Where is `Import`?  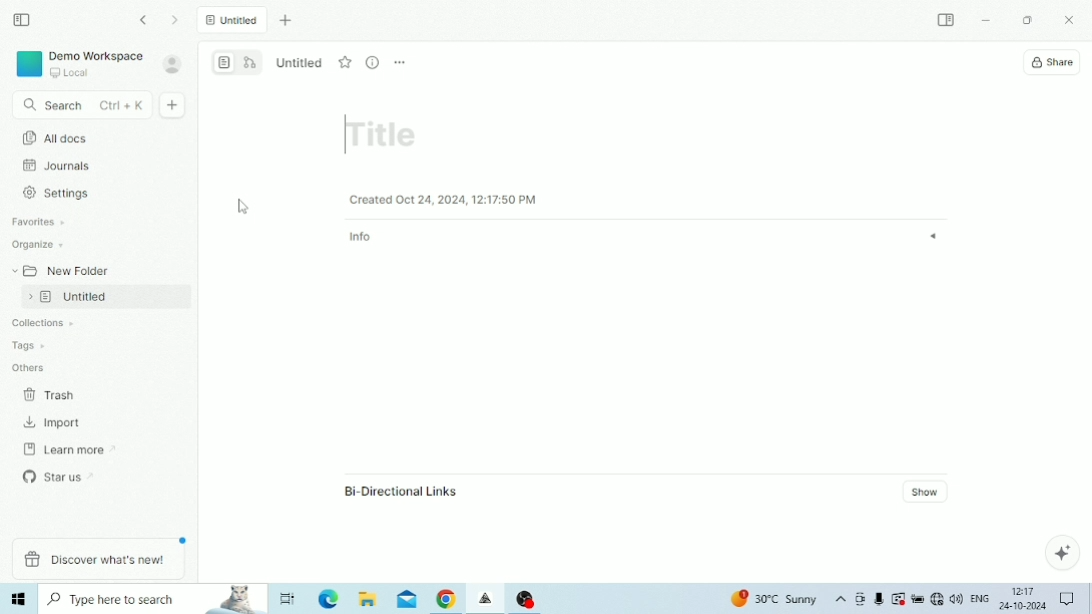
Import is located at coordinates (54, 423).